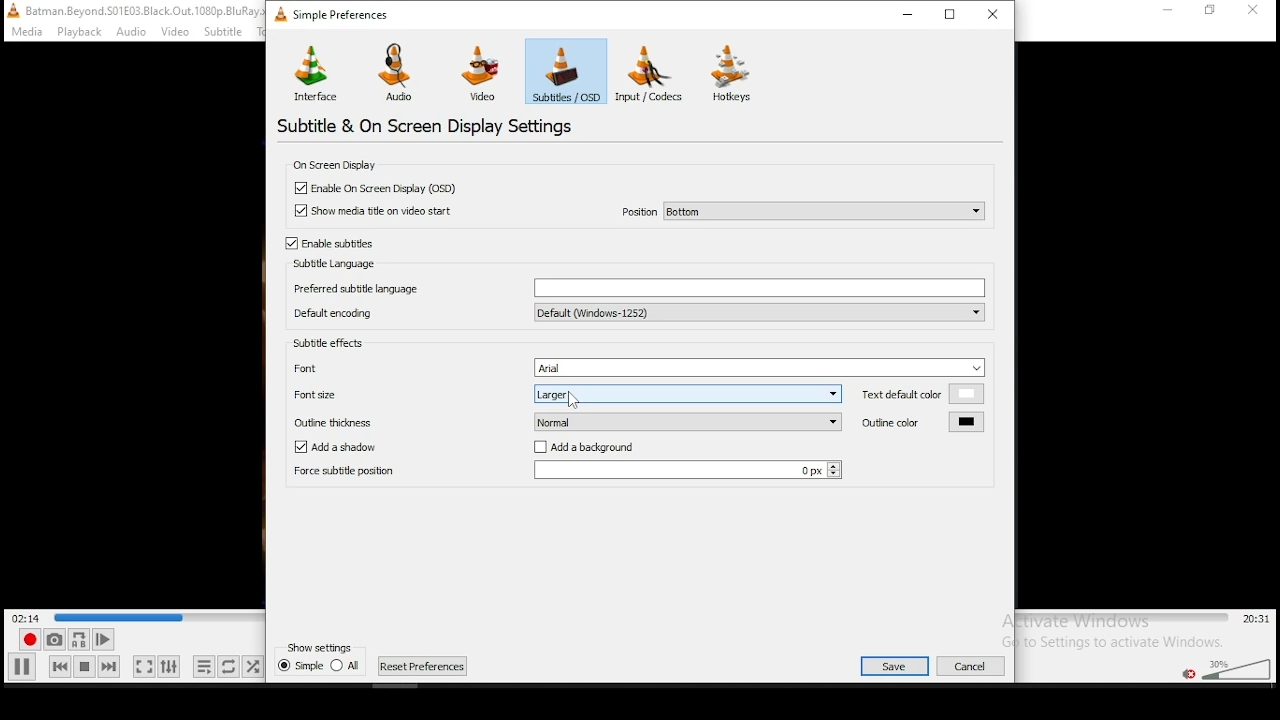 The image size is (1280, 720). What do you see at coordinates (77, 639) in the screenshot?
I see `repeat continously between point A and point B. Click to set point A` at bounding box center [77, 639].